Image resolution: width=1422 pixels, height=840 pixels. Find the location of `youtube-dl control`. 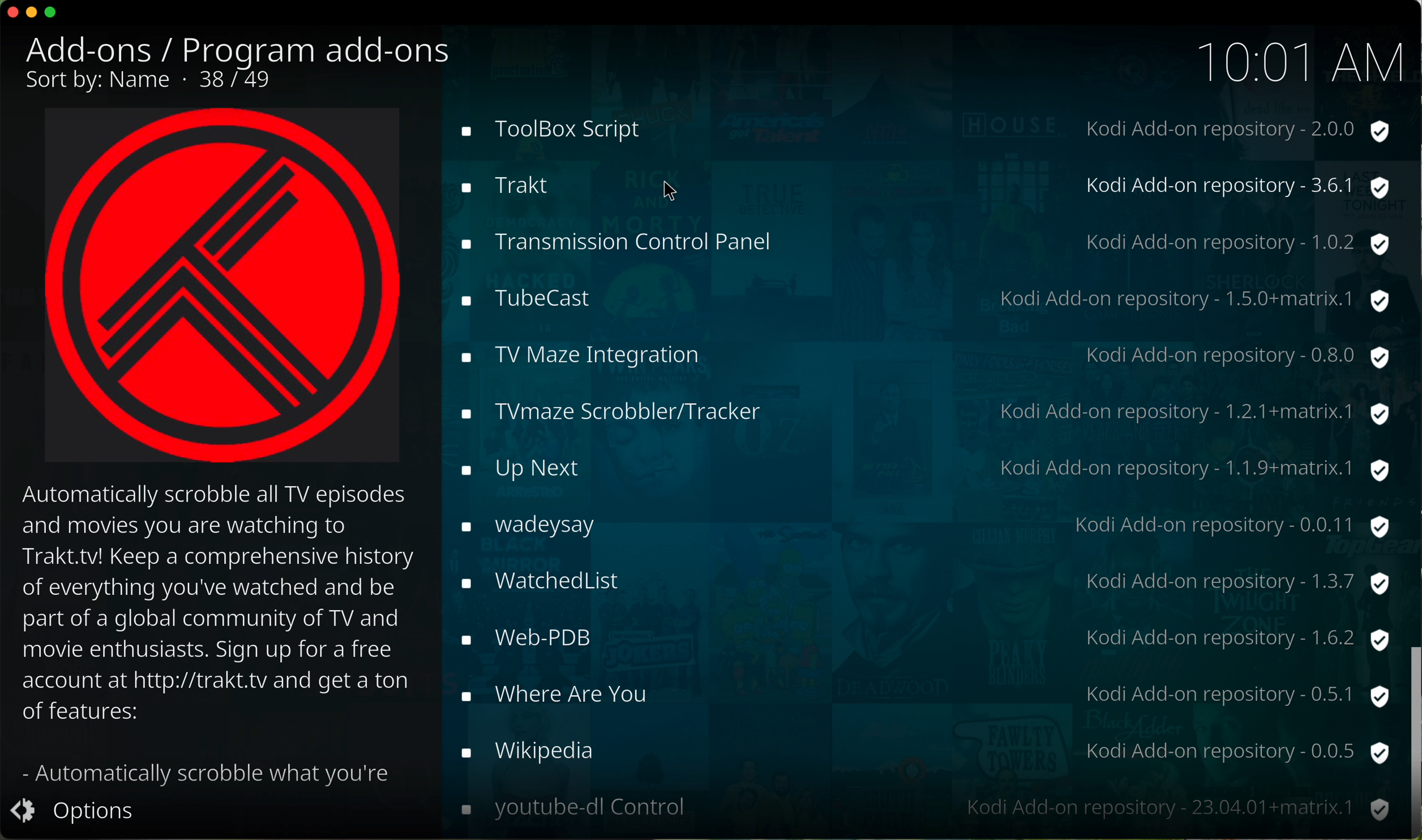

youtube-dl control is located at coordinates (922, 808).